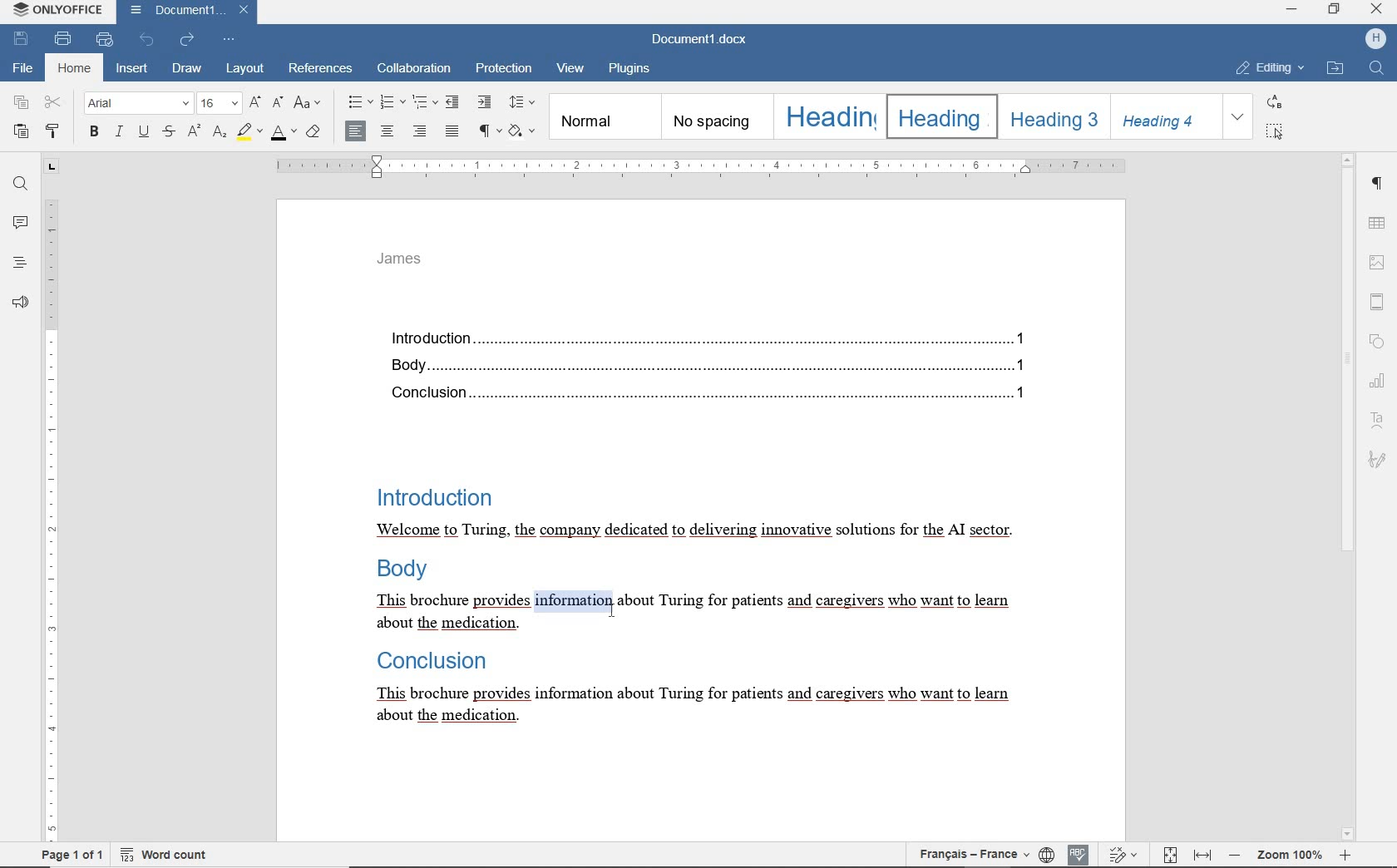 This screenshot has height=868, width=1397. Describe the element at coordinates (1118, 854) in the screenshot. I see `TRACK CHANGES` at that location.